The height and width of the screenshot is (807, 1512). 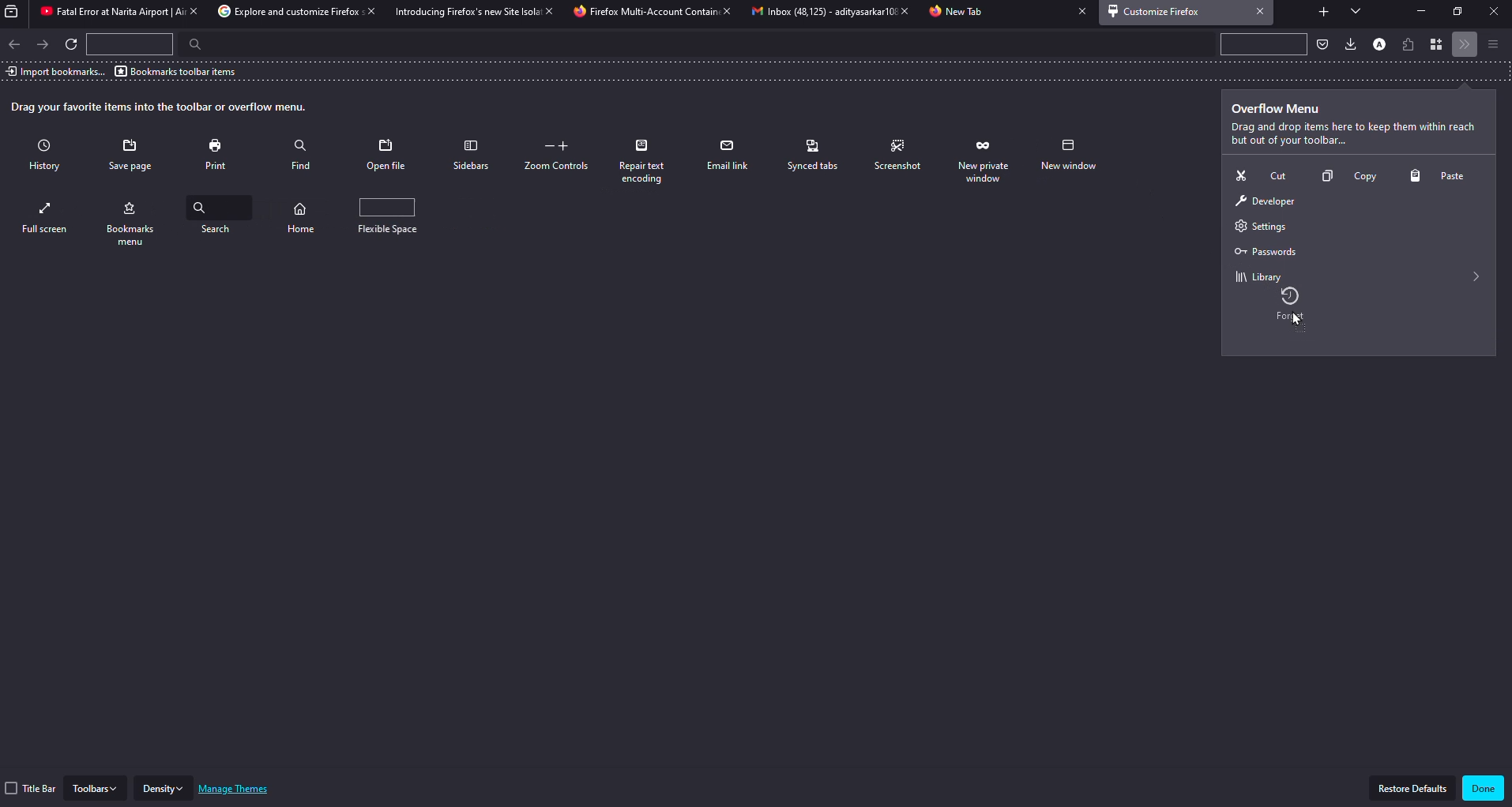 I want to click on density, so click(x=164, y=788).